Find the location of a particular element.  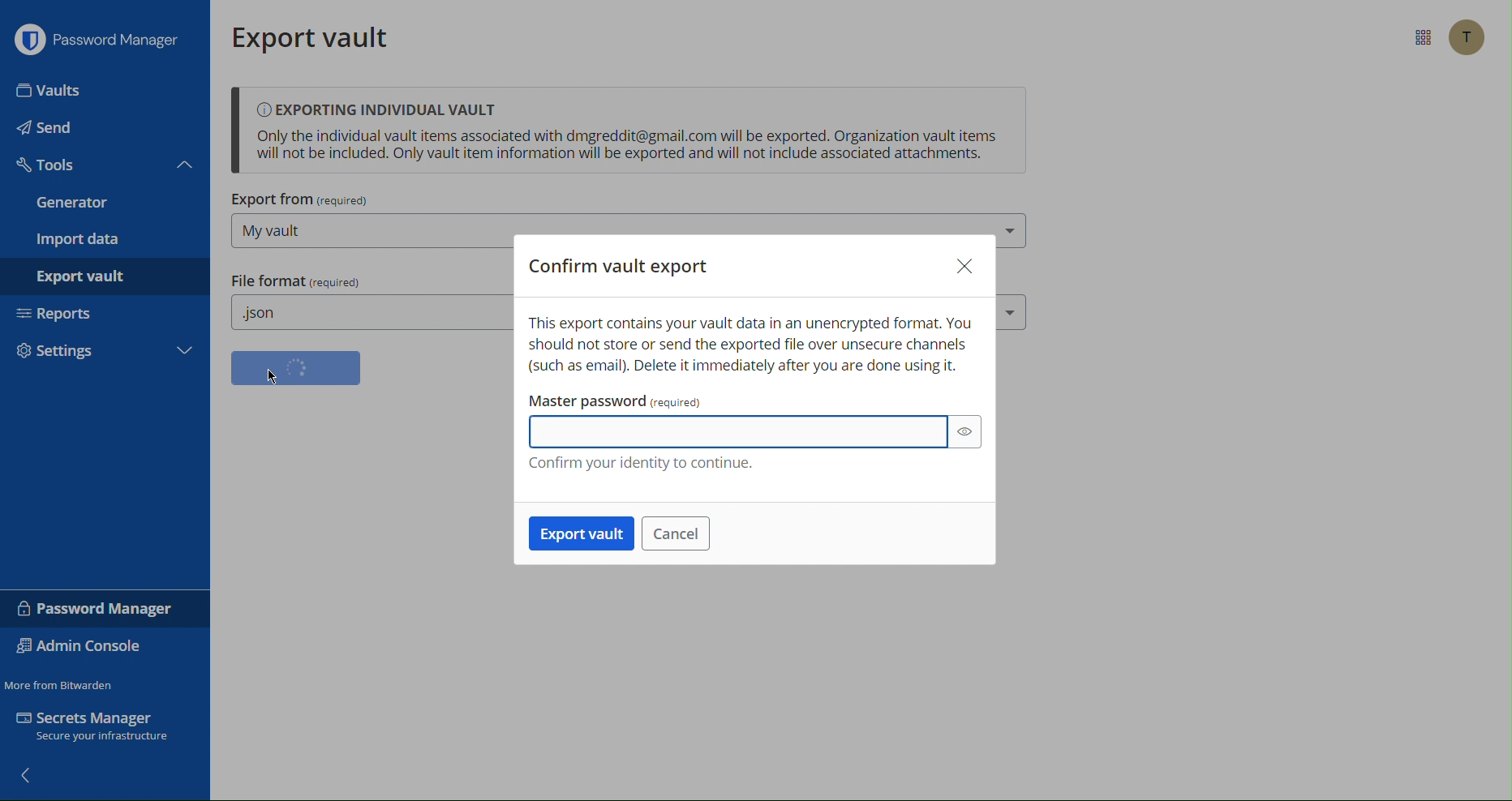

This export contains your vault data in an unencrypted format warning is located at coordinates (754, 344).